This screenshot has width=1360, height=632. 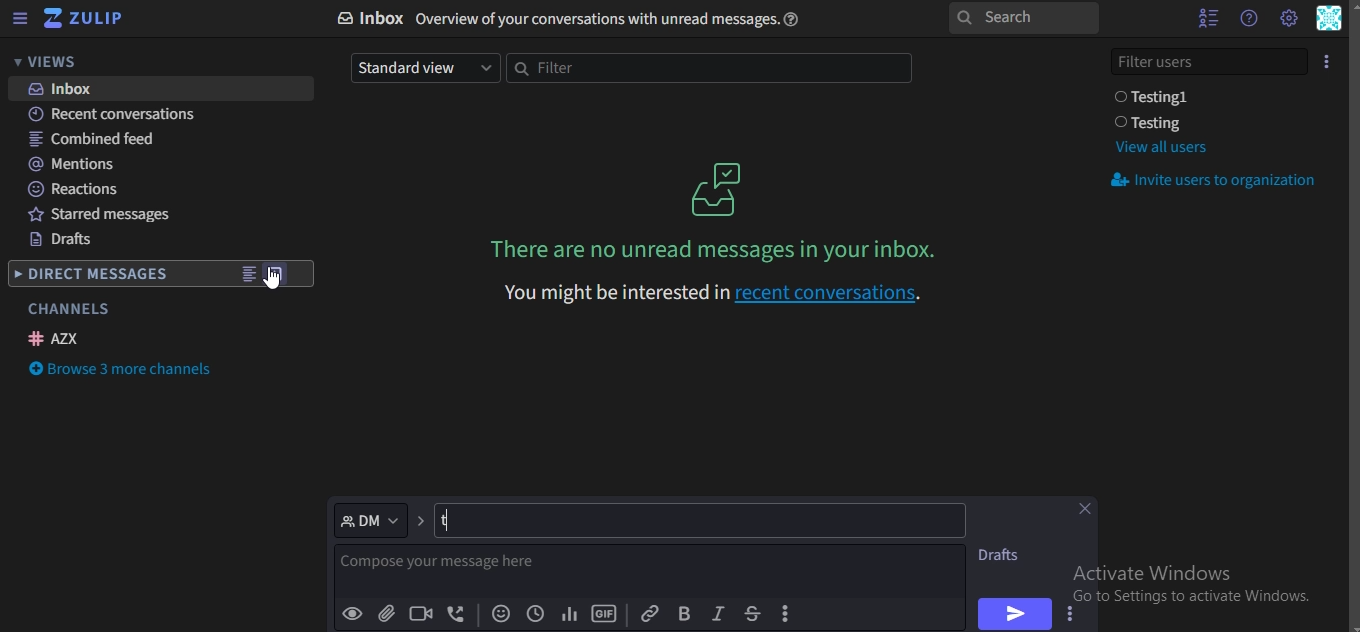 What do you see at coordinates (95, 140) in the screenshot?
I see `combined feed` at bounding box center [95, 140].